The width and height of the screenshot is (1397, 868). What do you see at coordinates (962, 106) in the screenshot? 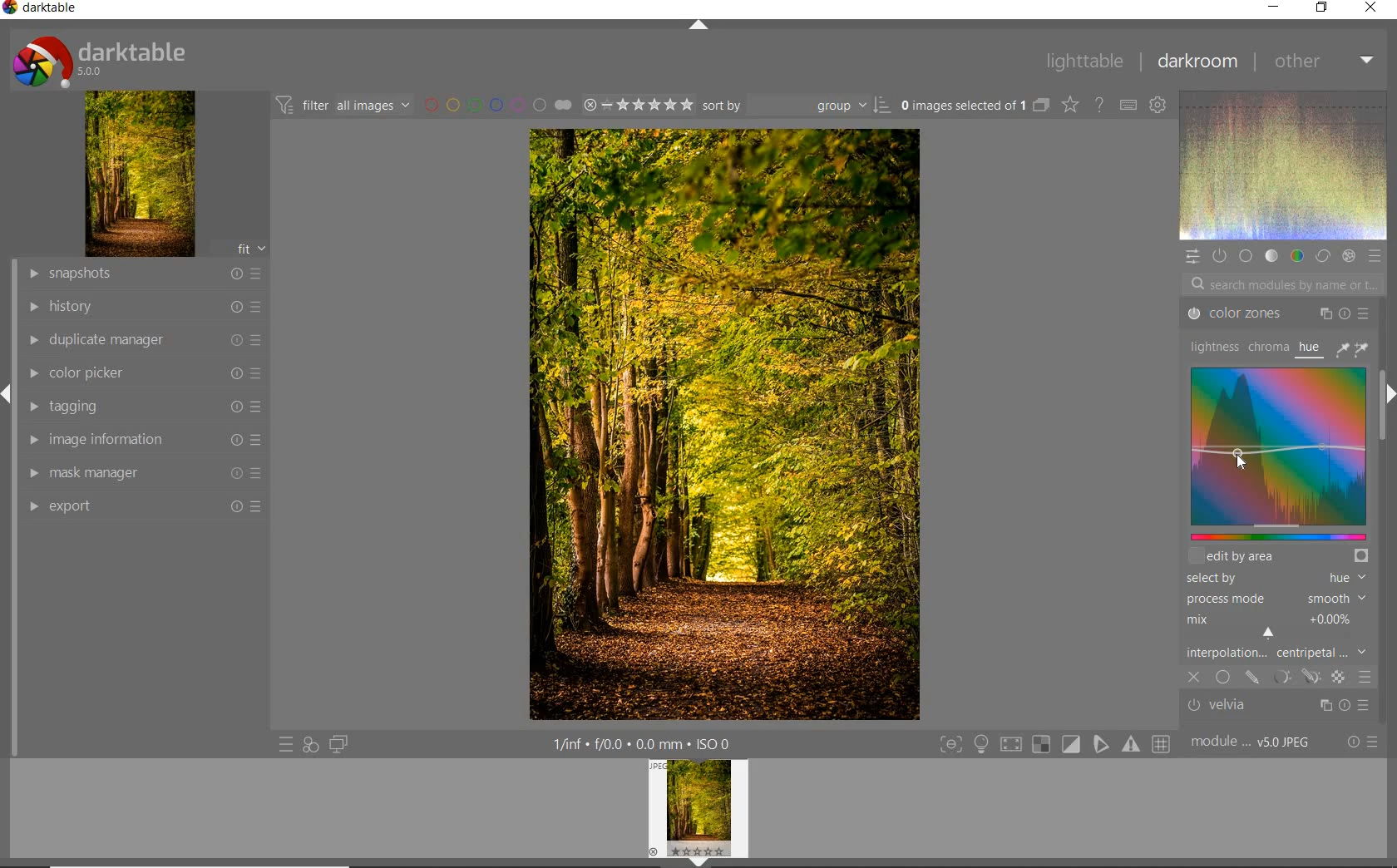
I see `SELECTED IMAGE` at bounding box center [962, 106].